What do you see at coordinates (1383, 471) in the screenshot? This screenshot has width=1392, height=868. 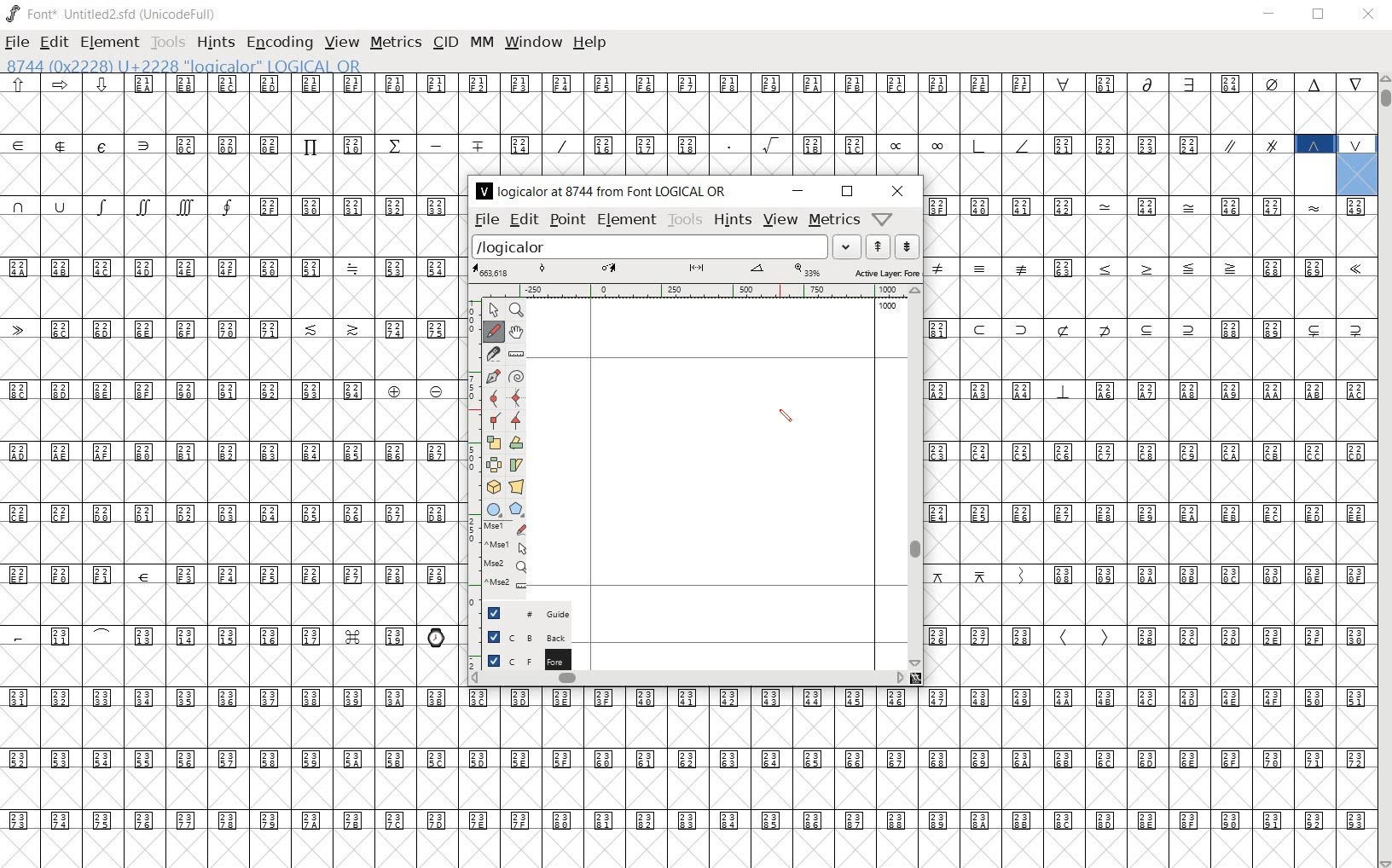 I see `scrollbar` at bounding box center [1383, 471].